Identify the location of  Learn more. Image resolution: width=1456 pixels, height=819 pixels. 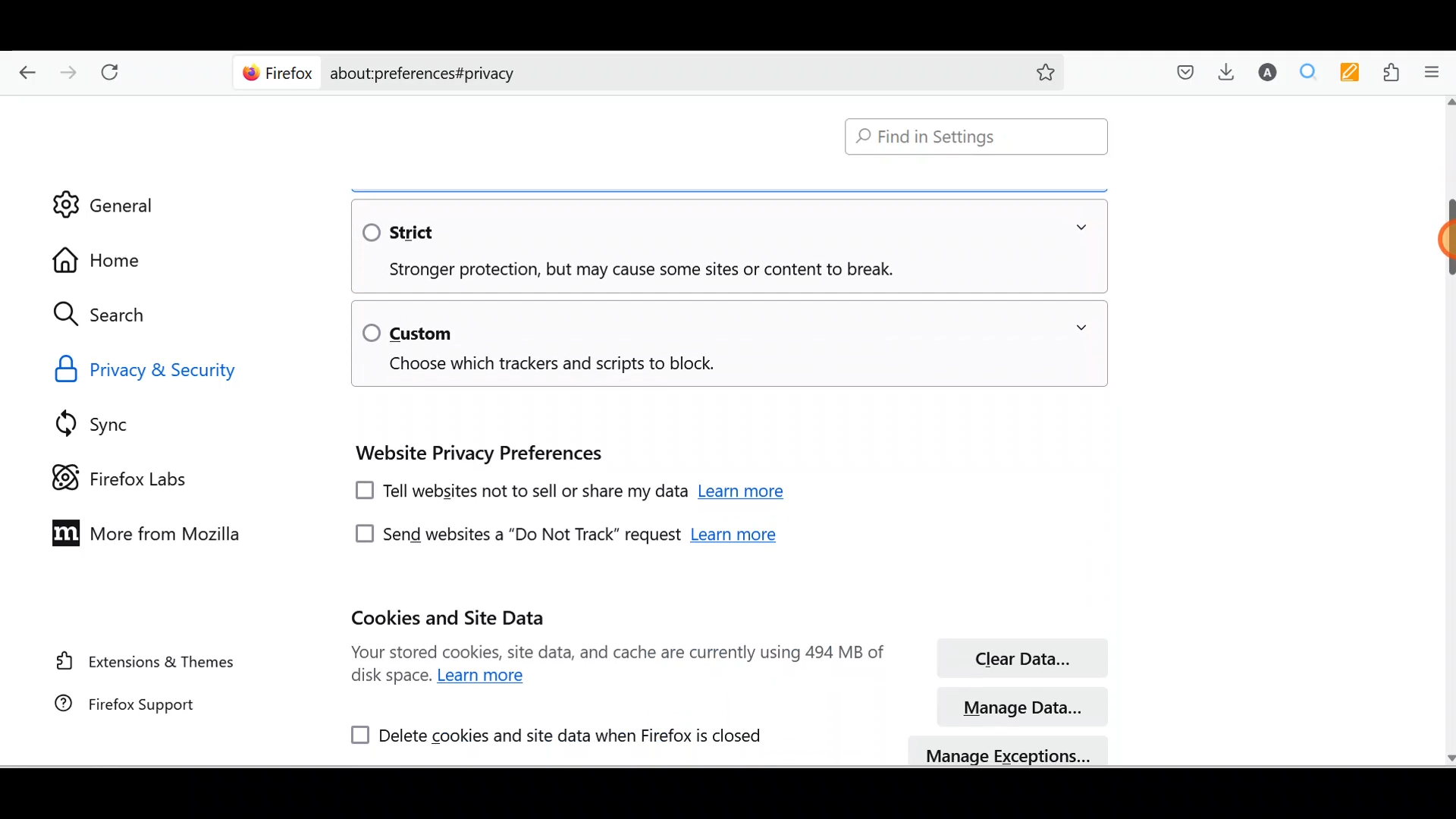
(485, 676).